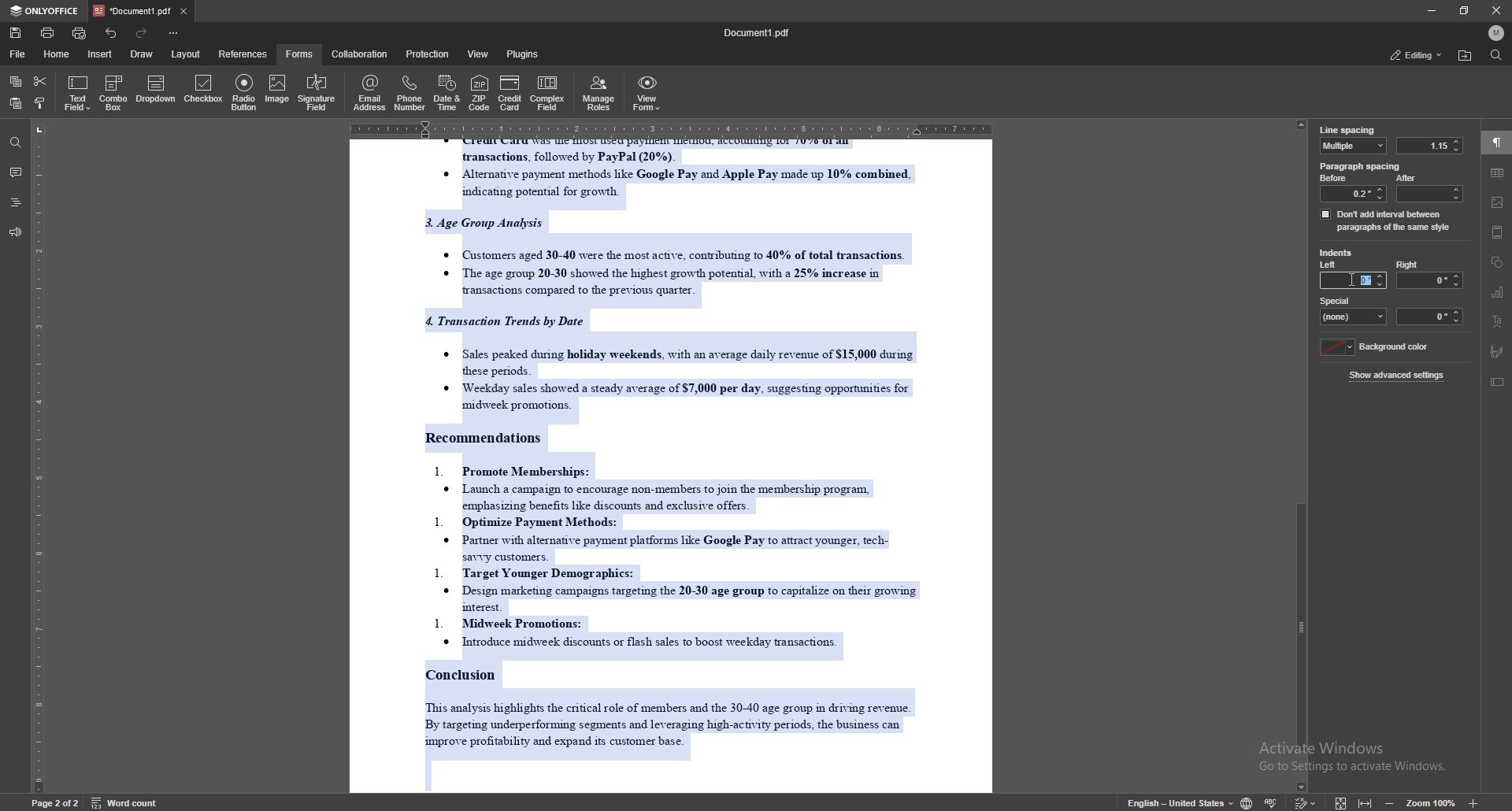  Describe the element at coordinates (1498, 172) in the screenshot. I see `table` at that location.